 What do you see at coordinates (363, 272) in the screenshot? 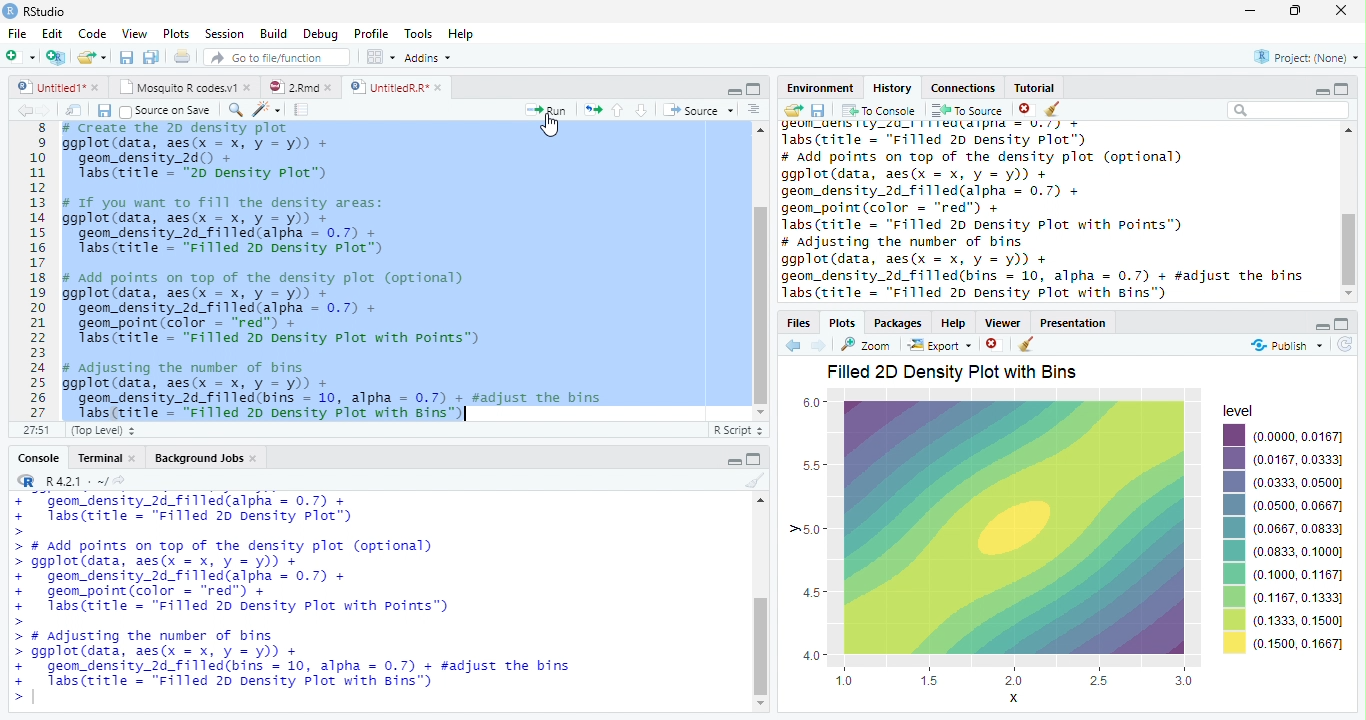
I see `8 # Create the 2D density plot 9 ggplot(data, aes(x = x, y = y)) +10 geom_density 2d) +11 Tabs(title - "20 Density plot”)1213 # If you want to fill the density areas:14 ggplot(data, aes(x = x, y = y)) +15 “geon density 2d filled(alpha - 0.7) + |16  Tabs(title = "Filled 20 Density Plot”)1718 # Add points on top of the density plot (optional)19 ggplot(data, aes(x = x, y = y)) +20 geom_density_2d_filled(alpha = 0.7) +21 geom_point(color = "red") +22 Tabs(title = "Filled 20 Density Plot with Points")2324 # adjusting the number of bins25 ggplot(data, aes(x = x, y = y)) +26 geom_density_2d_filled(bins = 10, alpha = 0.7) + #adjust the bins27  labs(title = "Filled 2p Density Plot with Bins™)|` at bounding box center [363, 272].